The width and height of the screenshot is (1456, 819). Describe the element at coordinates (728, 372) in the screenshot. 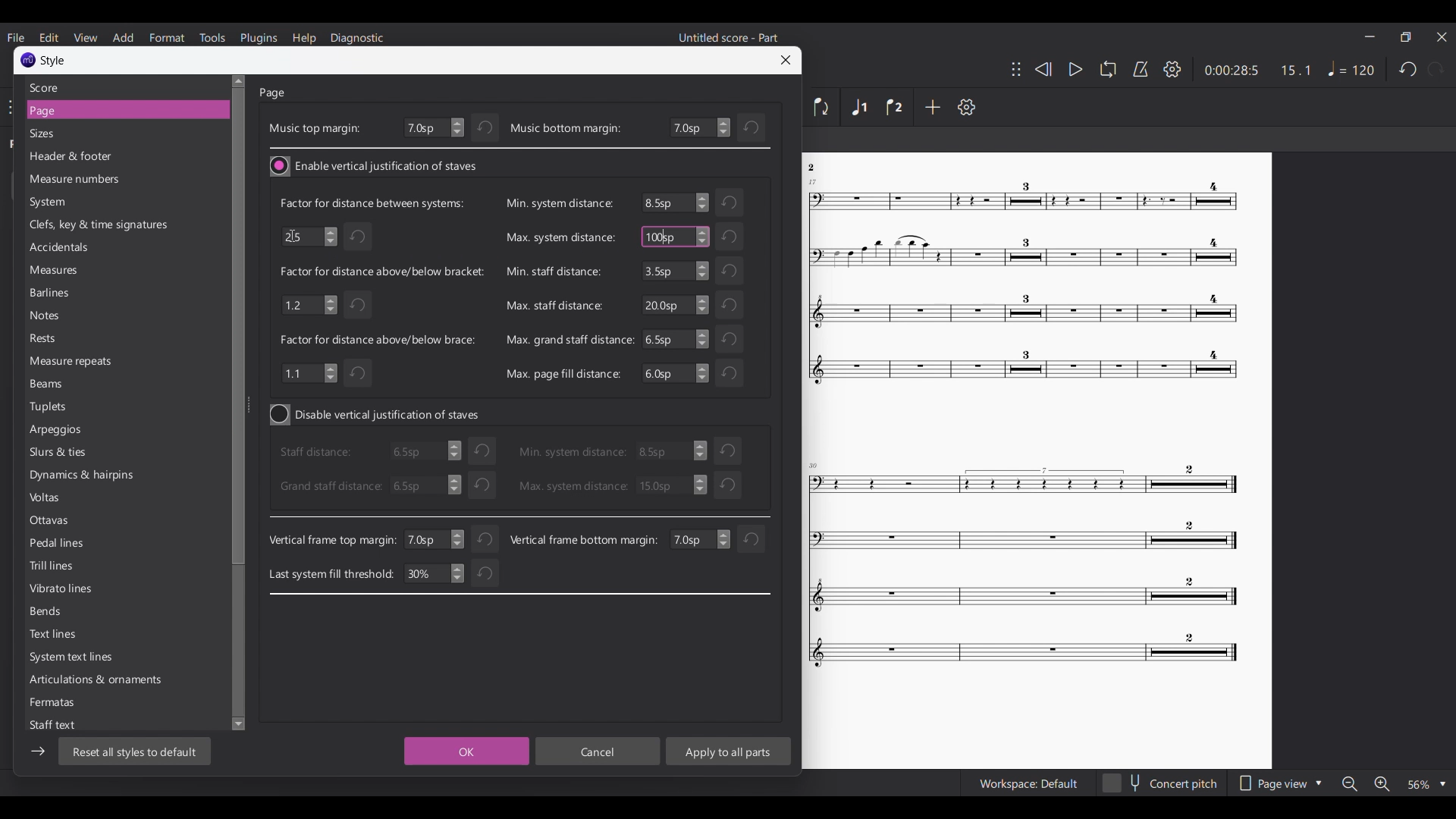

I see `Undo` at that location.